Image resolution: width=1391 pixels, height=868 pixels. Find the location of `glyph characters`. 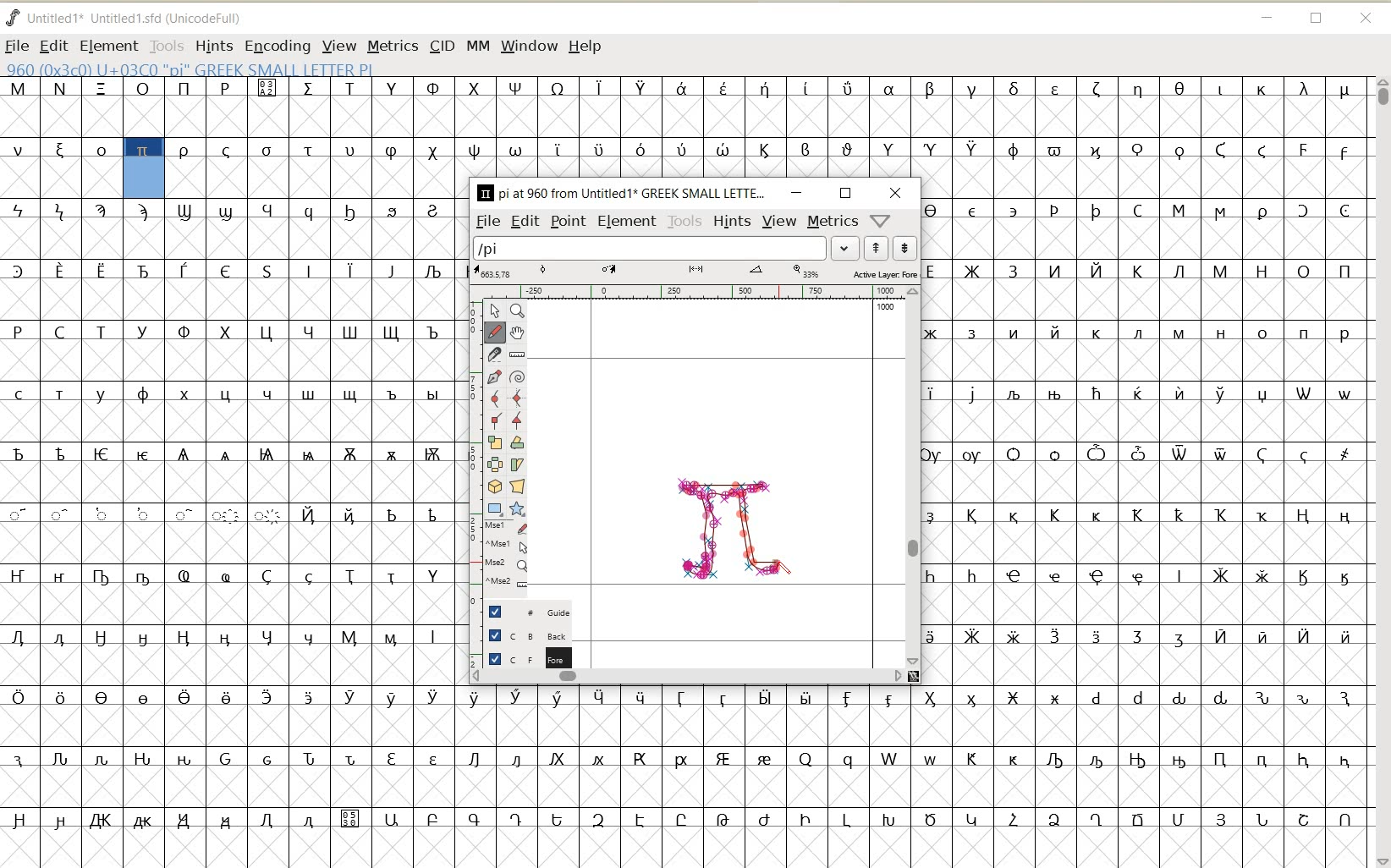

glyph characters is located at coordinates (914, 125).